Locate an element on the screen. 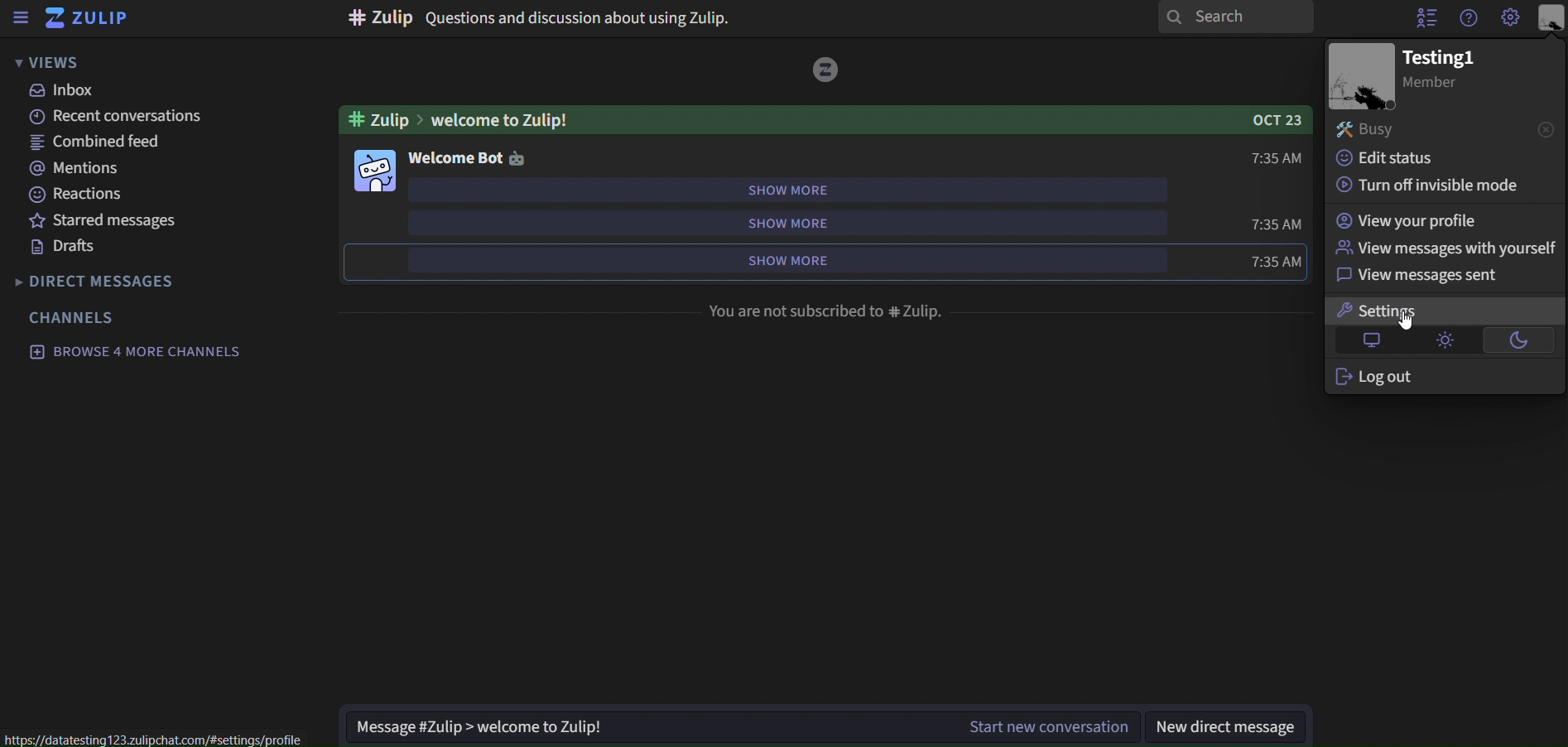  browse 4 more channels is located at coordinates (135, 350).